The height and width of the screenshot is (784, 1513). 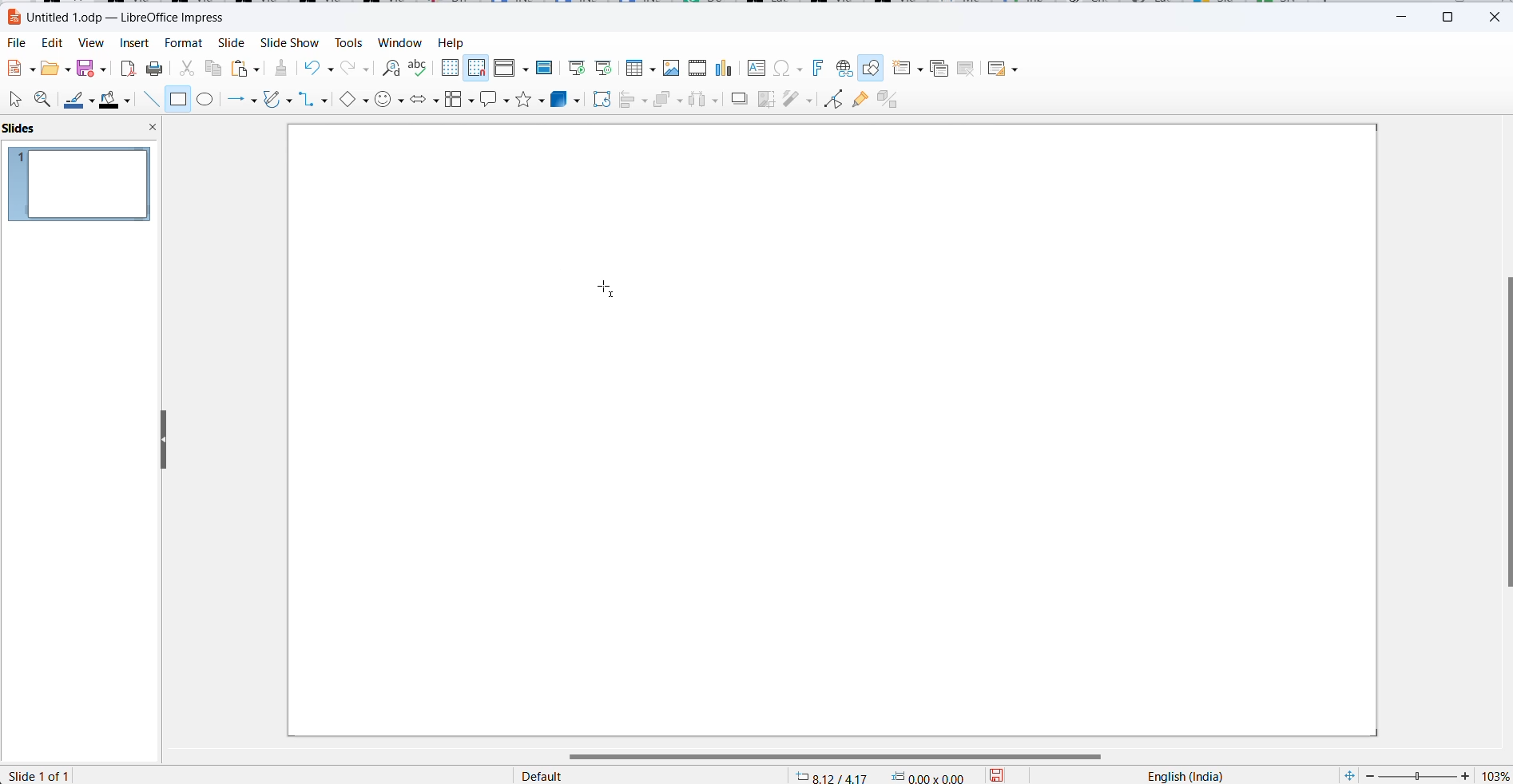 What do you see at coordinates (208, 101) in the screenshot?
I see `ellipse` at bounding box center [208, 101].